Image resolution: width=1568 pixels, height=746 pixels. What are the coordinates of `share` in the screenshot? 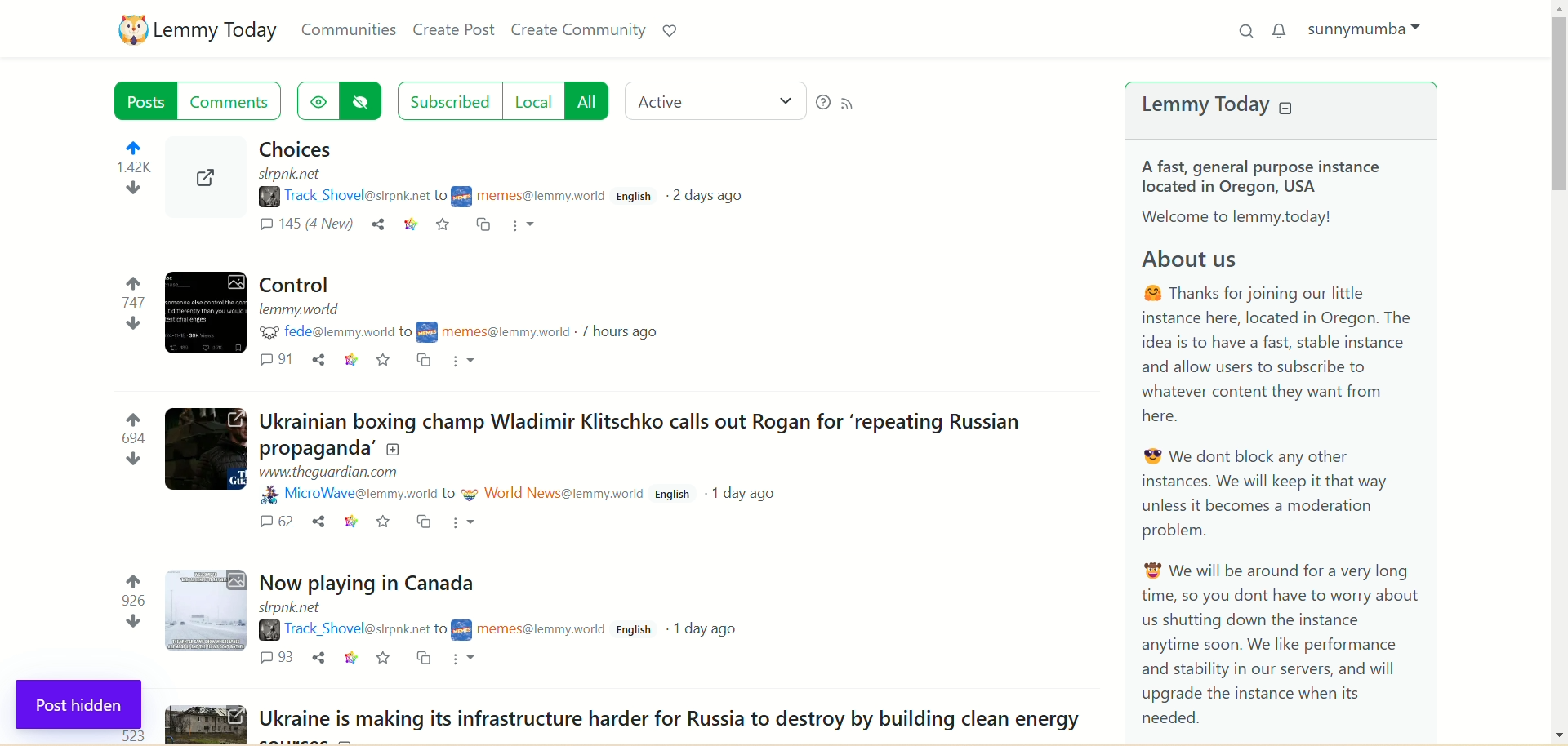 It's located at (318, 656).